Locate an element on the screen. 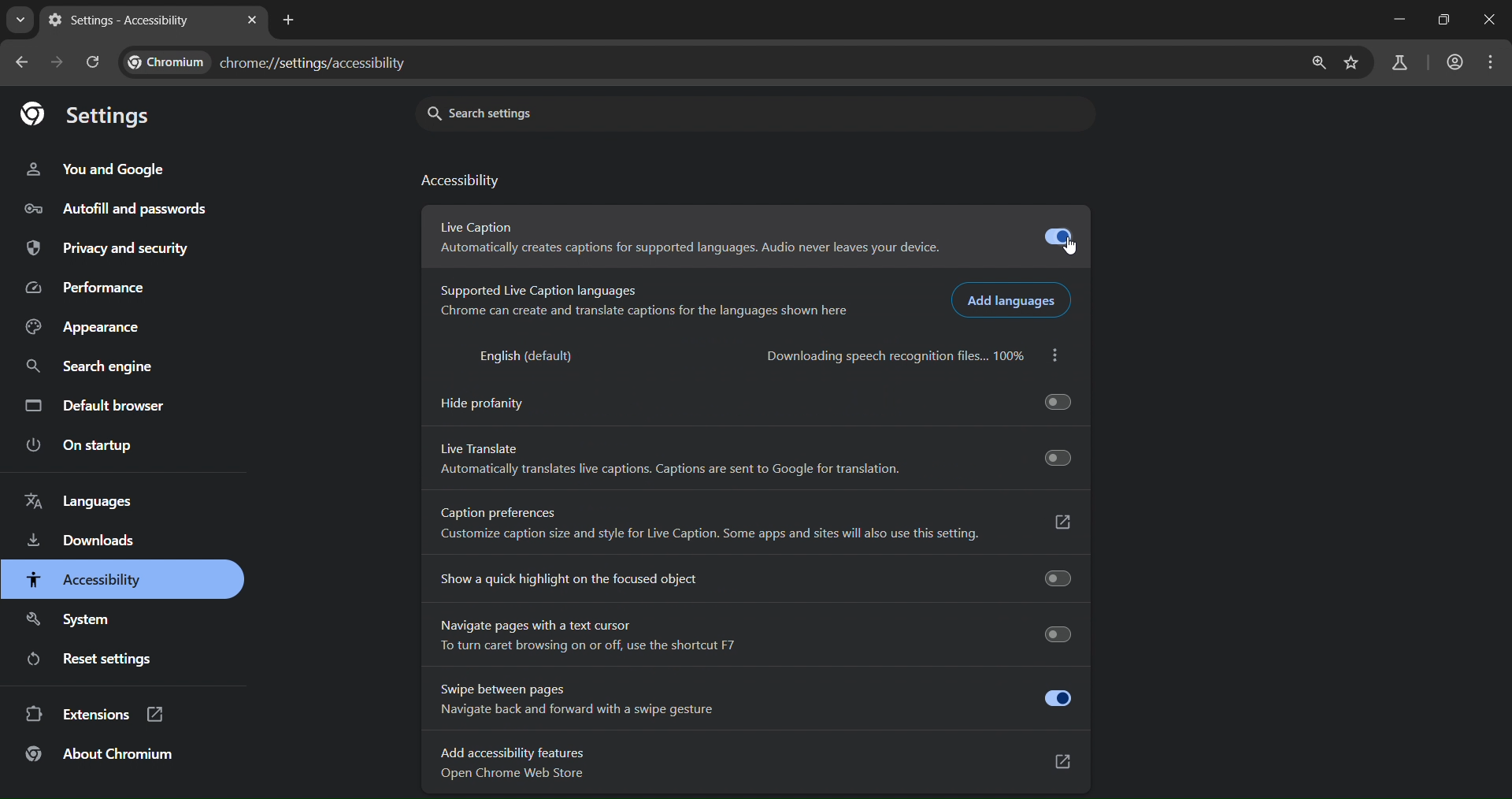 The image size is (1512, 799). languages is located at coordinates (80, 503).